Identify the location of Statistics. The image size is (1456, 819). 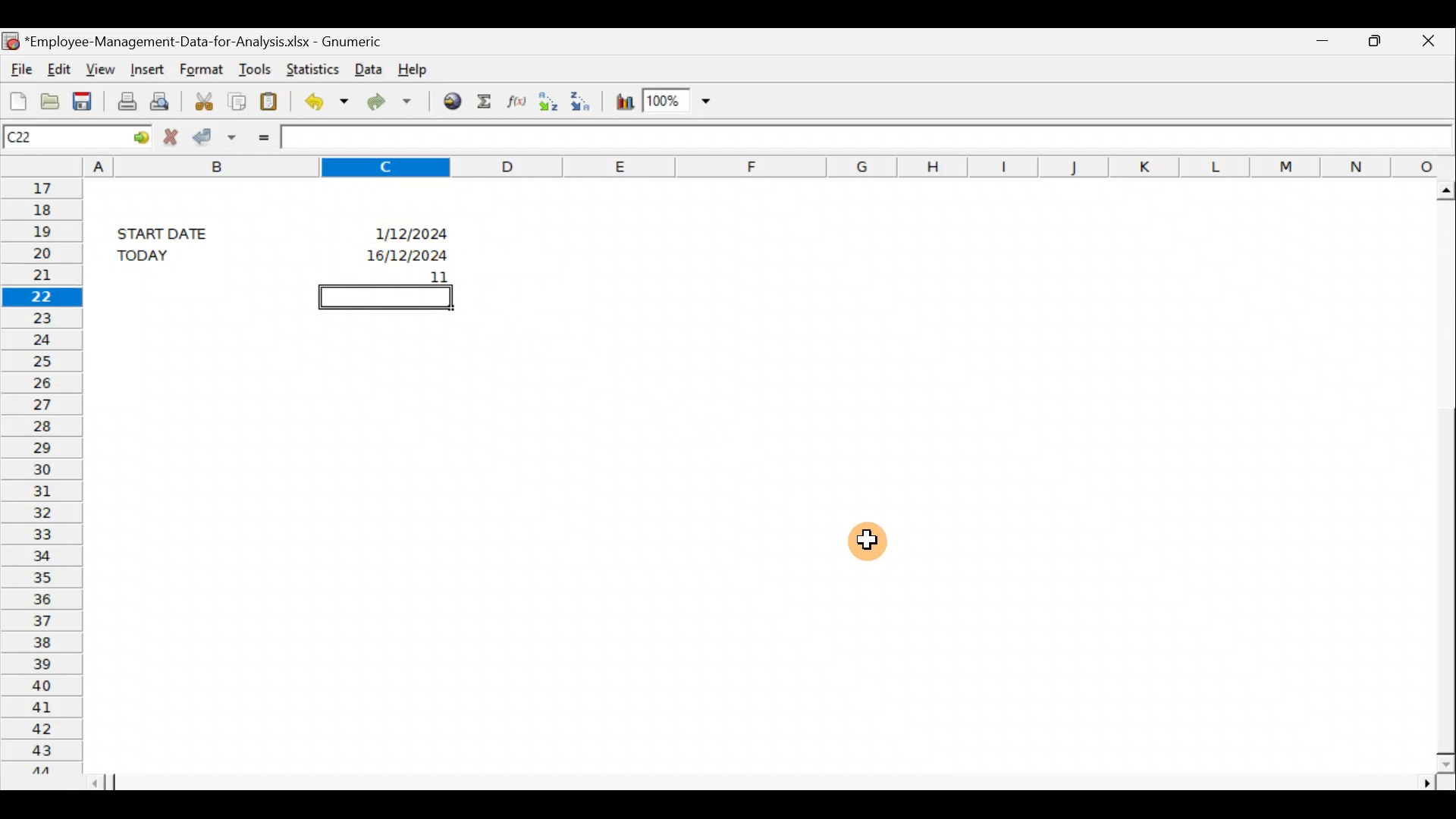
(309, 67).